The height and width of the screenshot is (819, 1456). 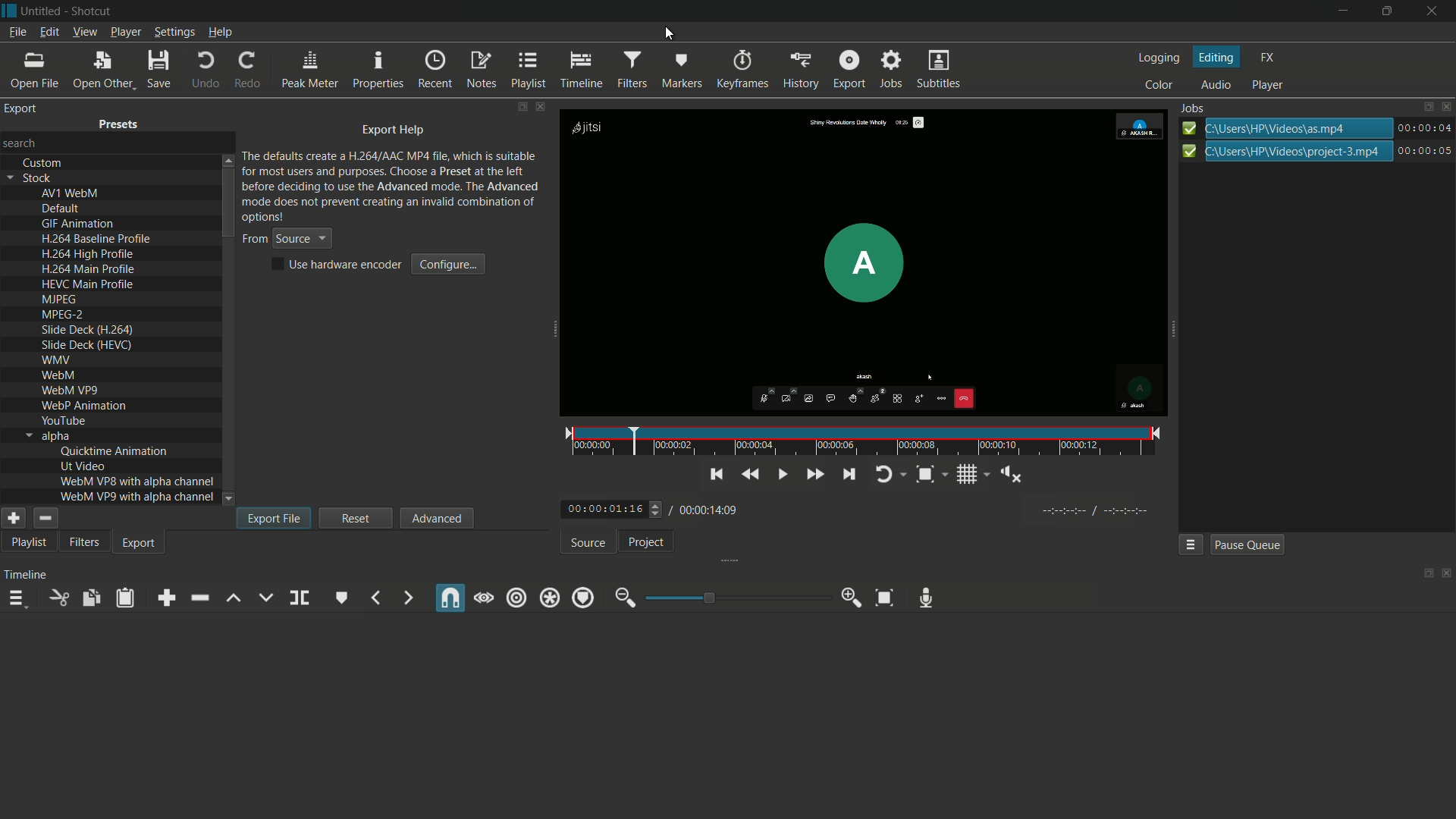 What do you see at coordinates (551, 598) in the screenshot?
I see `ripple all tracks` at bounding box center [551, 598].